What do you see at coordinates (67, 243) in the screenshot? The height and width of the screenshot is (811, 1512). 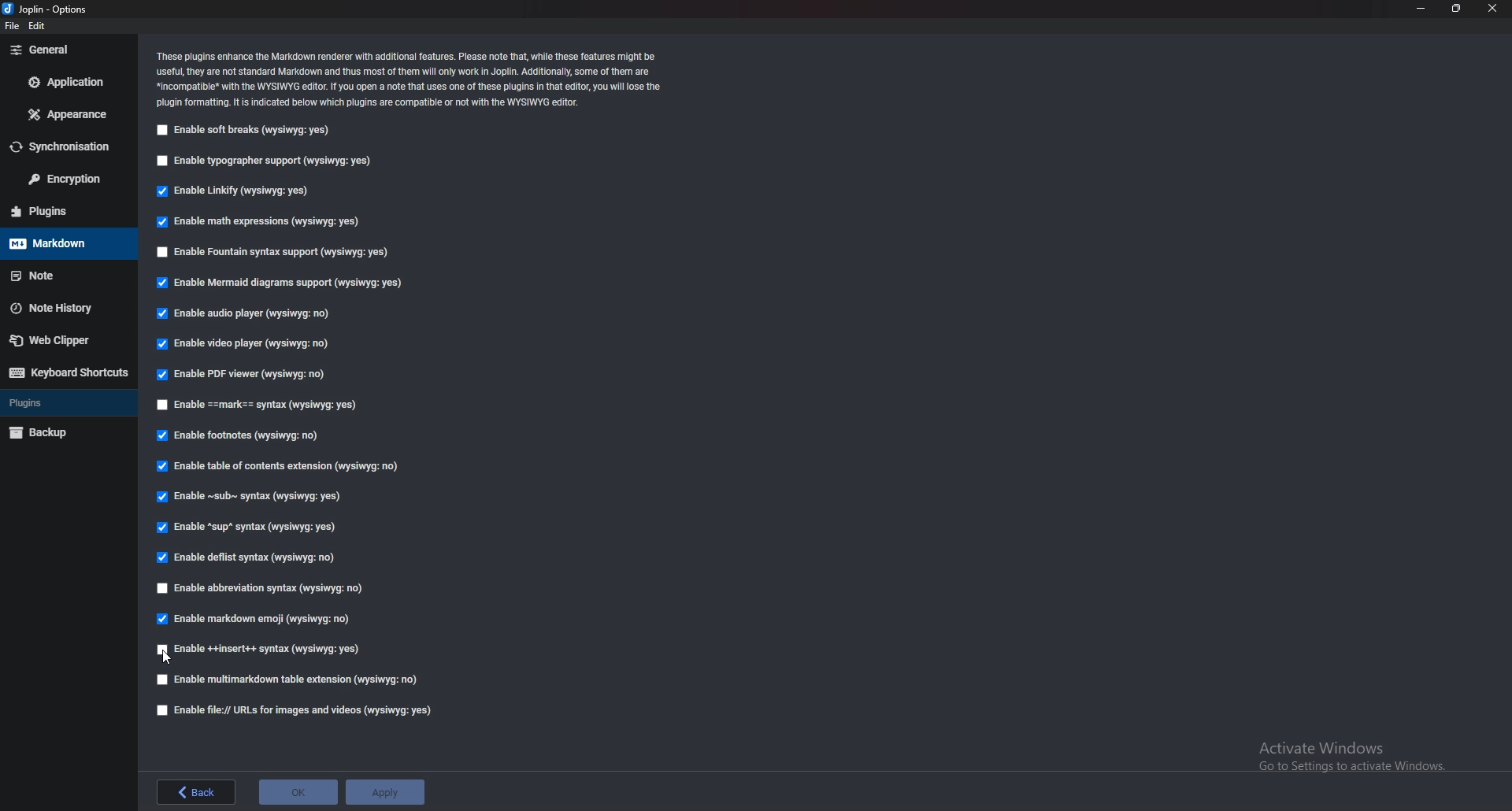 I see `Mark down` at bounding box center [67, 243].